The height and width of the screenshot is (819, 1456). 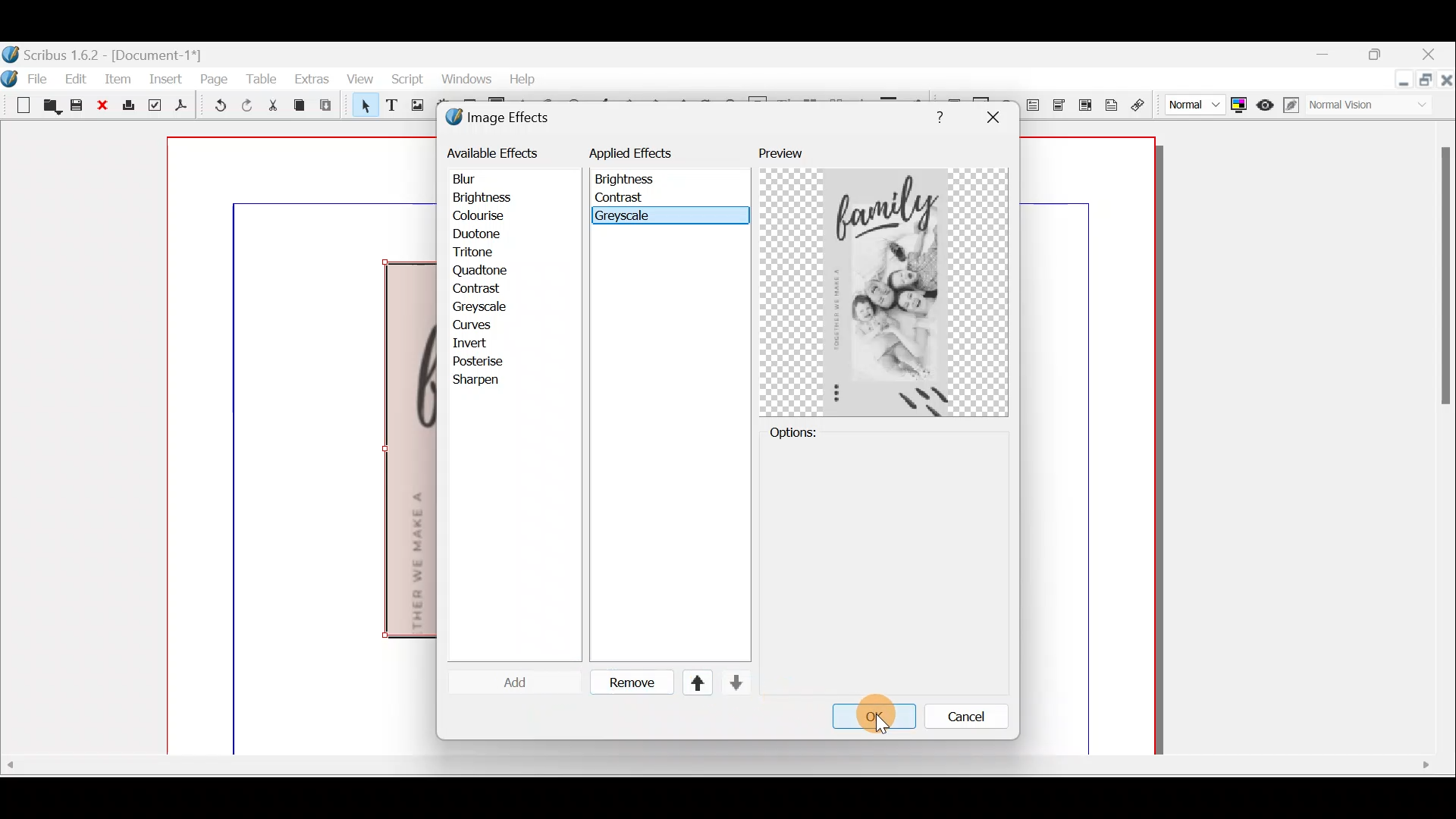 What do you see at coordinates (880, 725) in the screenshot?
I see `Cursor` at bounding box center [880, 725].